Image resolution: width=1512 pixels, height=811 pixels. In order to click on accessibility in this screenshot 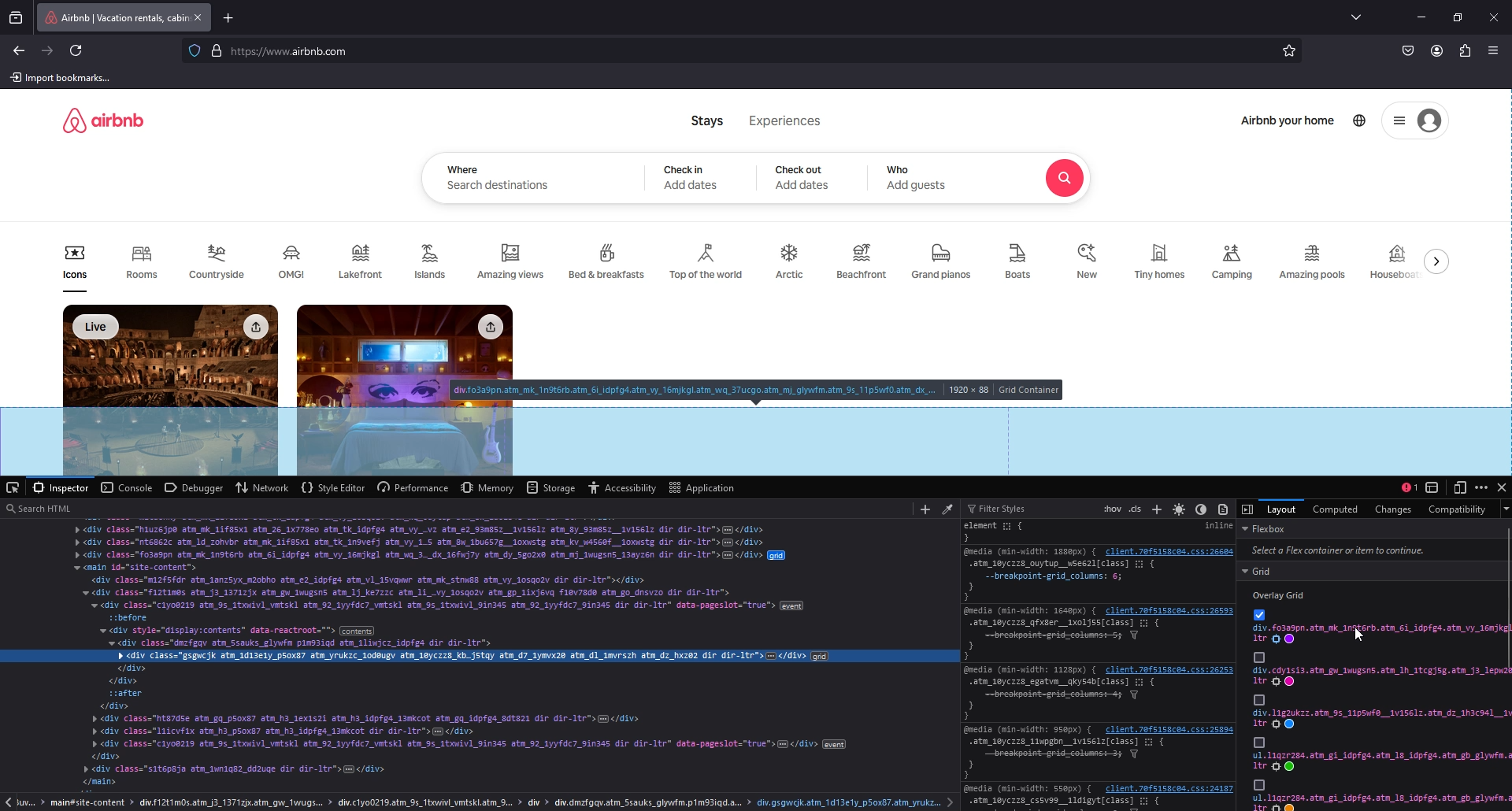, I will do `click(623, 487)`.